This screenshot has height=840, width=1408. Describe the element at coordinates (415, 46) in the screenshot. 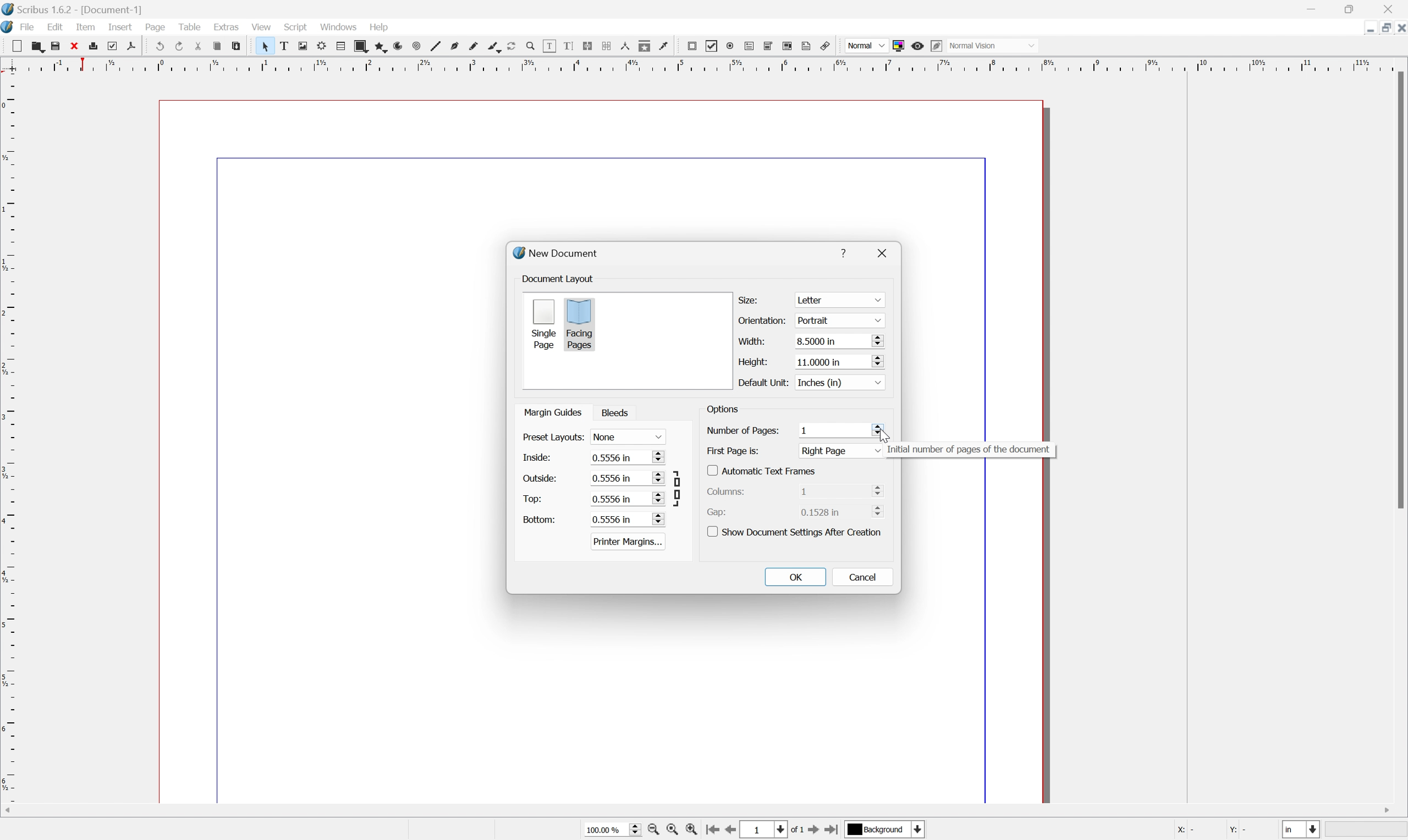

I see `Spiral` at that location.